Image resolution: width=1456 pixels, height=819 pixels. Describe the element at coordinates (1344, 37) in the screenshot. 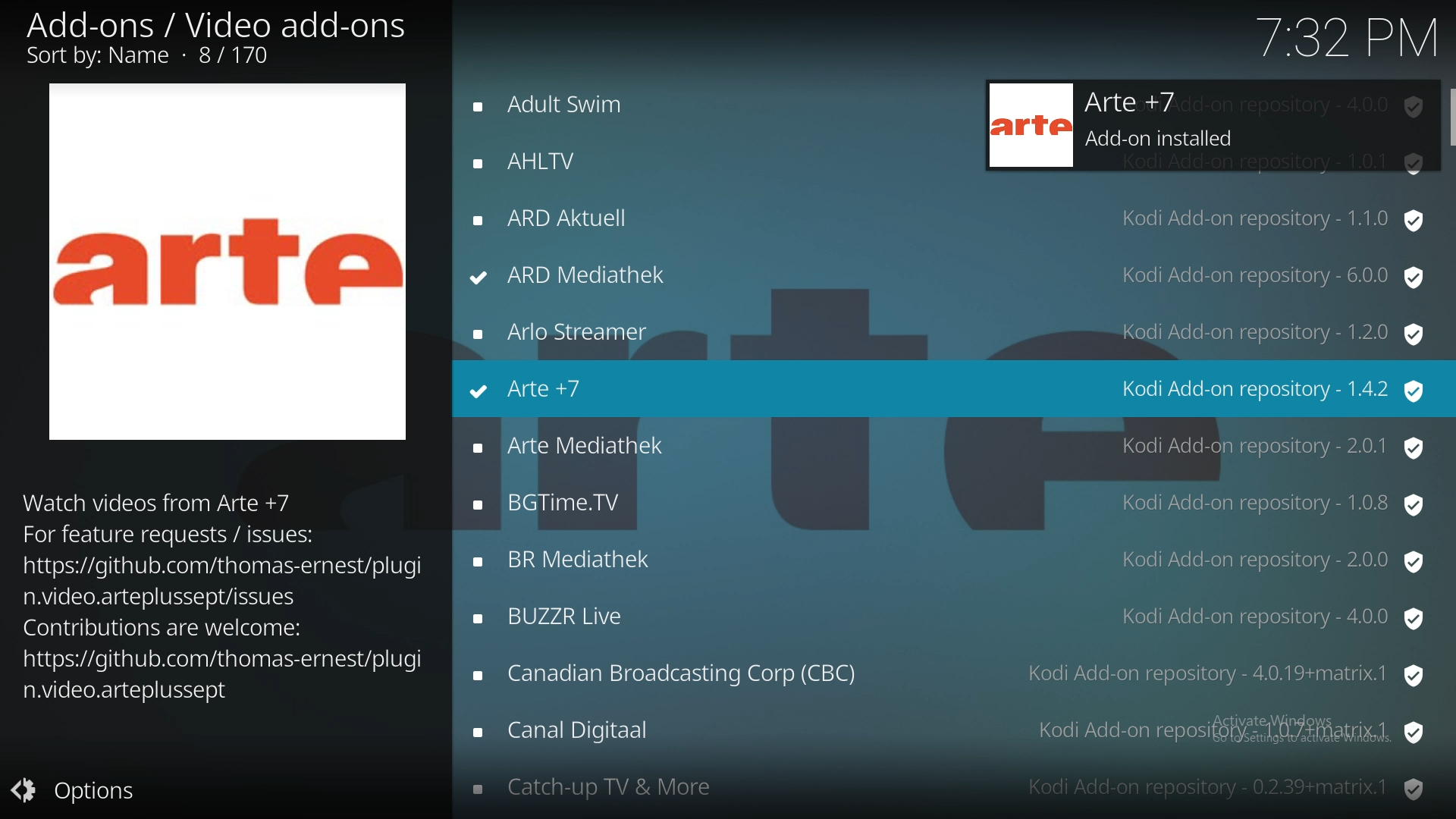

I see `time` at that location.